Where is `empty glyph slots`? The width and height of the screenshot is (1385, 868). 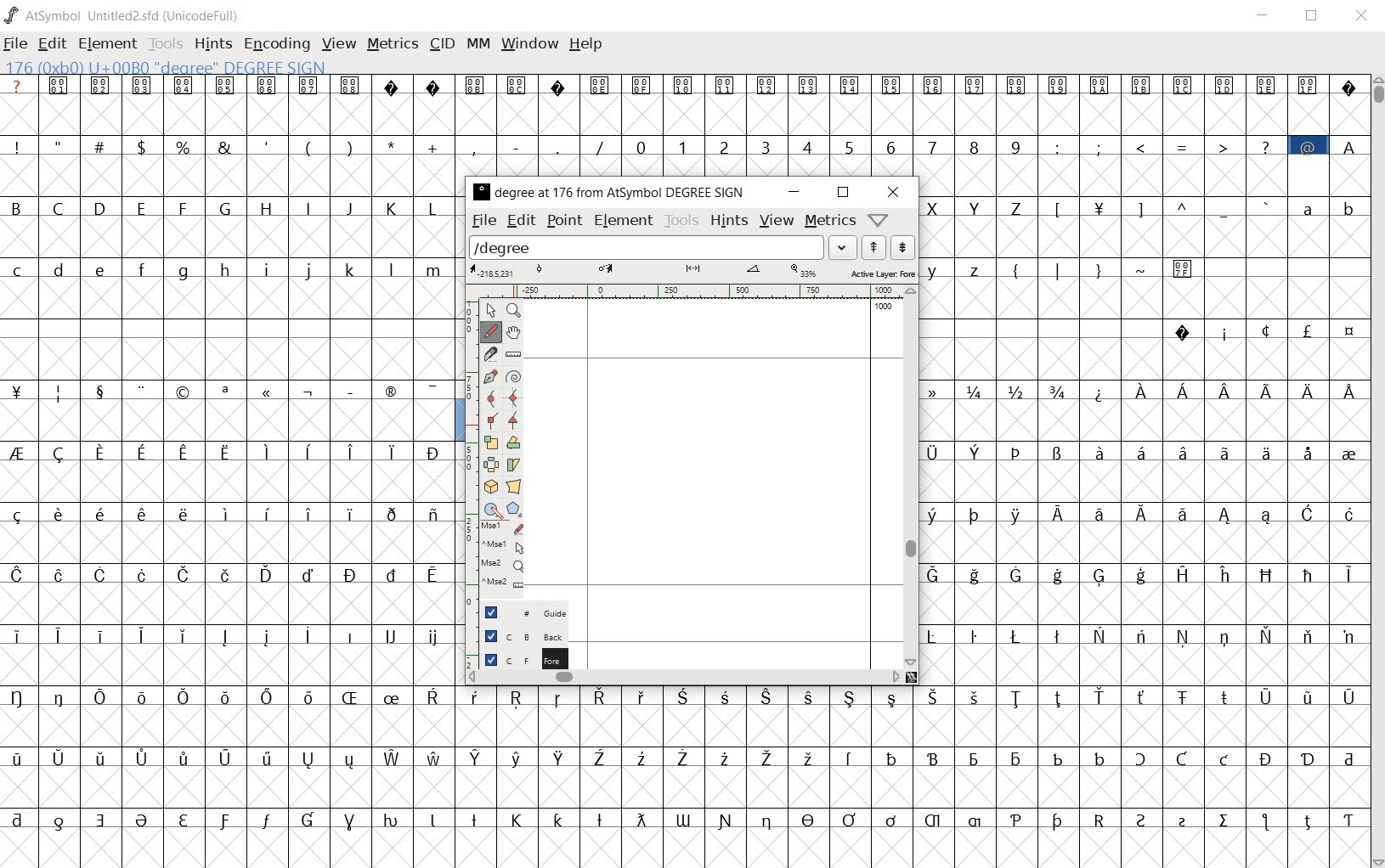 empty glyph slots is located at coordinates (1144, 542).